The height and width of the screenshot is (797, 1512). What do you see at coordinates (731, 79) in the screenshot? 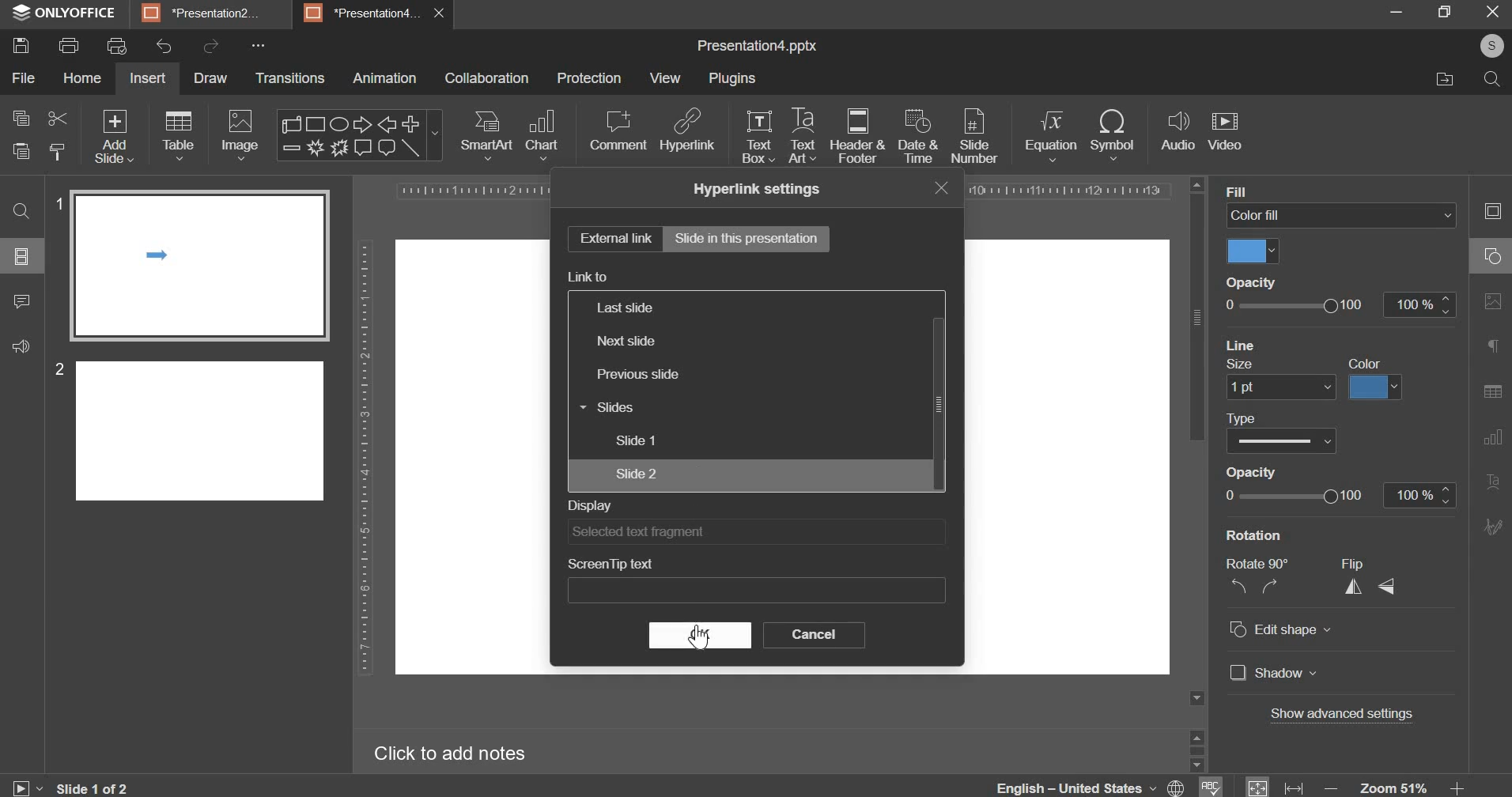
I see `plugins` at bounding box center [731, 79].